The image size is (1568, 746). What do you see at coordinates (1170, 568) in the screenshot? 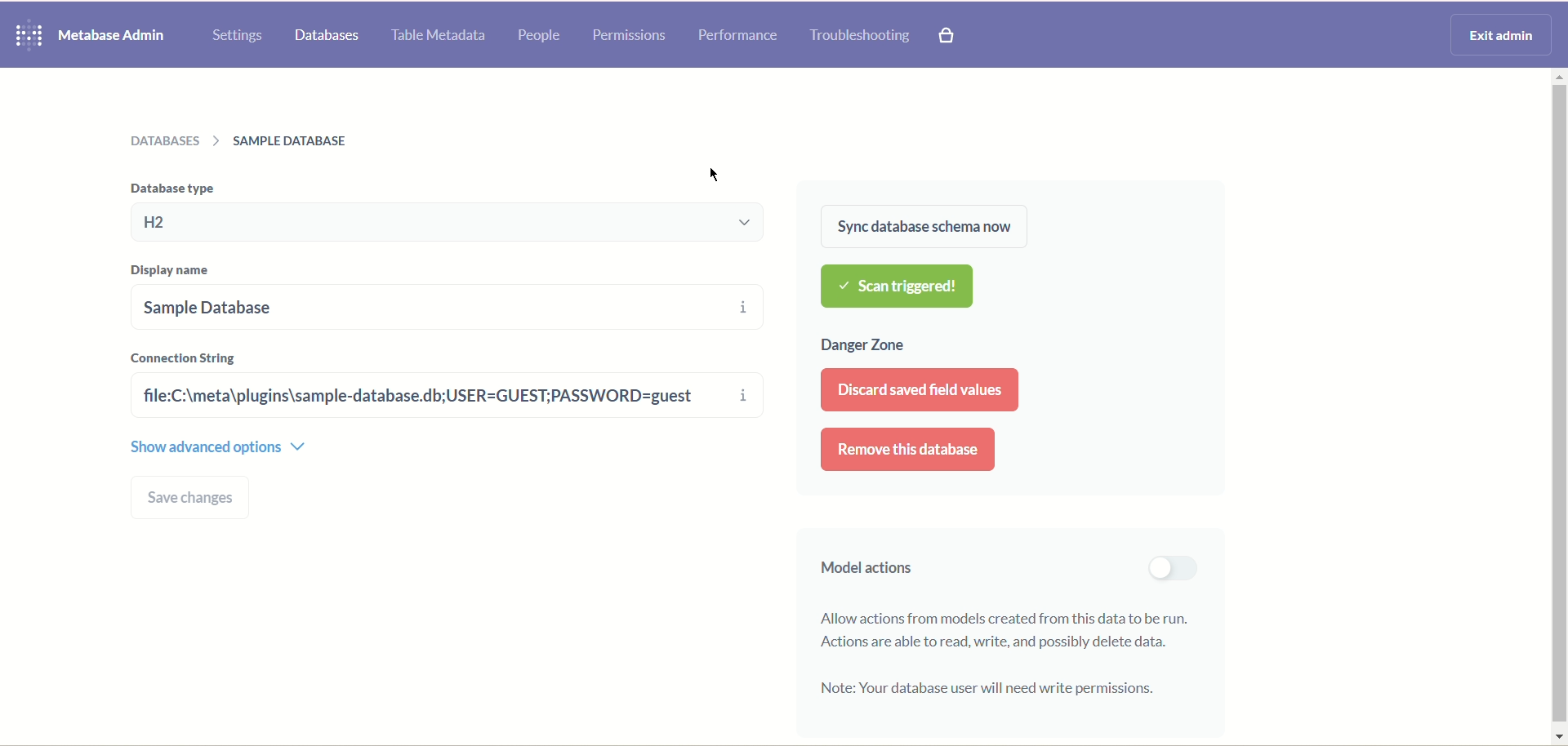
I see `toggle button` at bounding box center [1170, 568].